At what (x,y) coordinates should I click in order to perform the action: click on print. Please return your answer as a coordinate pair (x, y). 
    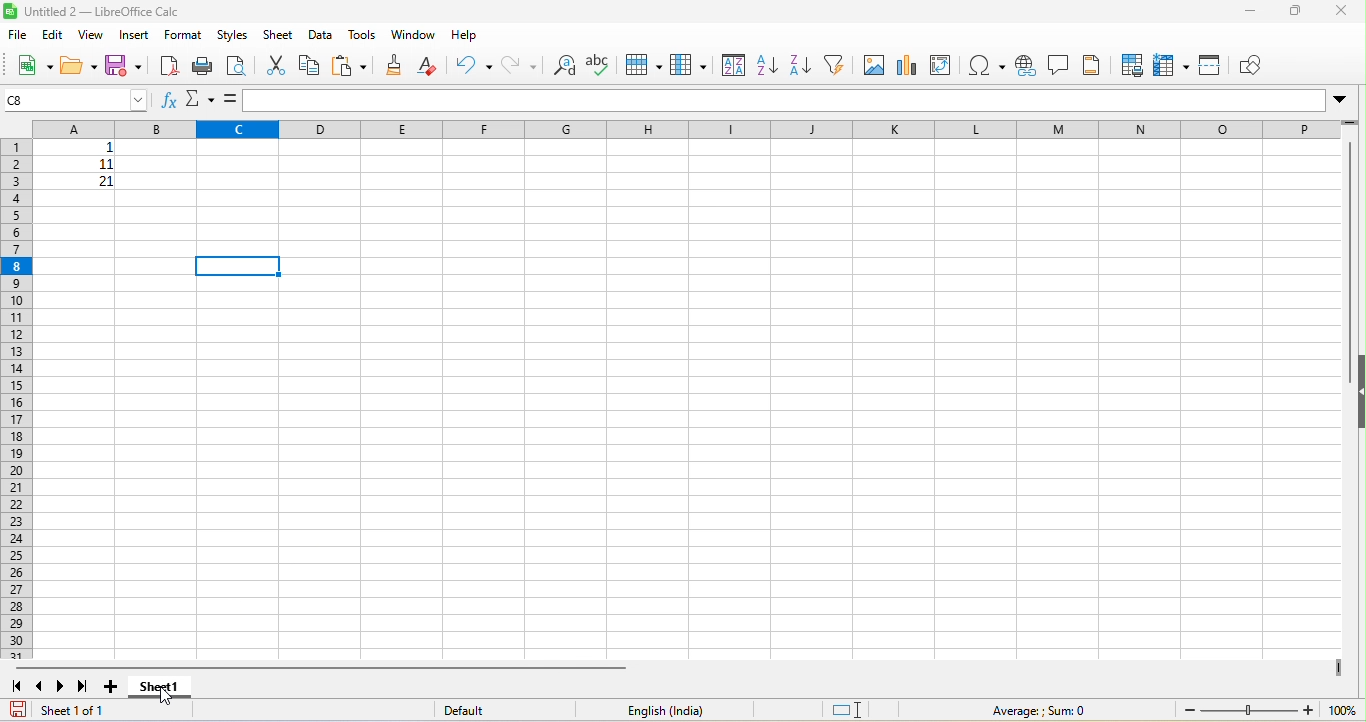
    Looking at the image, I should click on (203, 64).